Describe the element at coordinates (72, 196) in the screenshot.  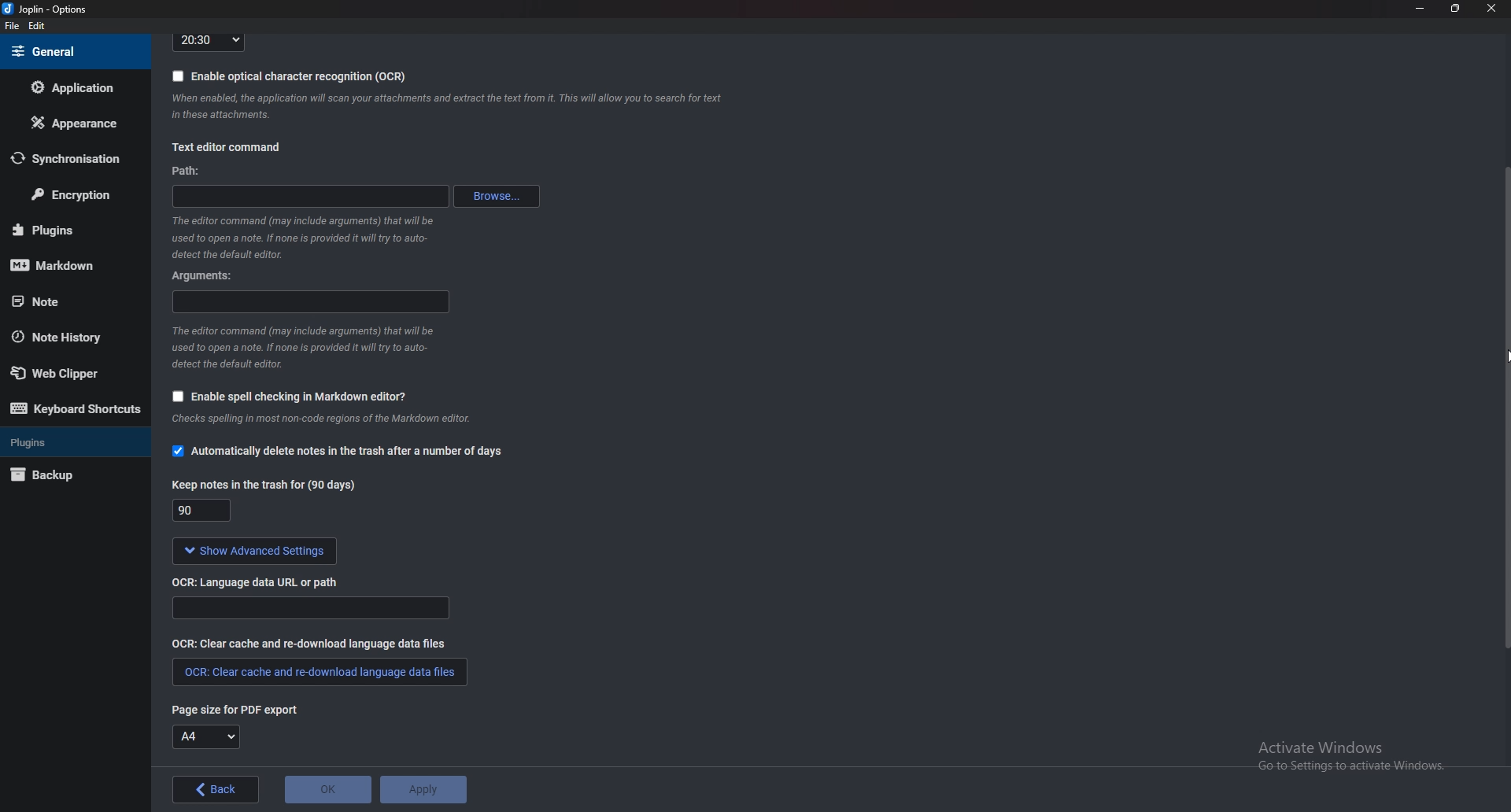
I see `Encryption` at that location.